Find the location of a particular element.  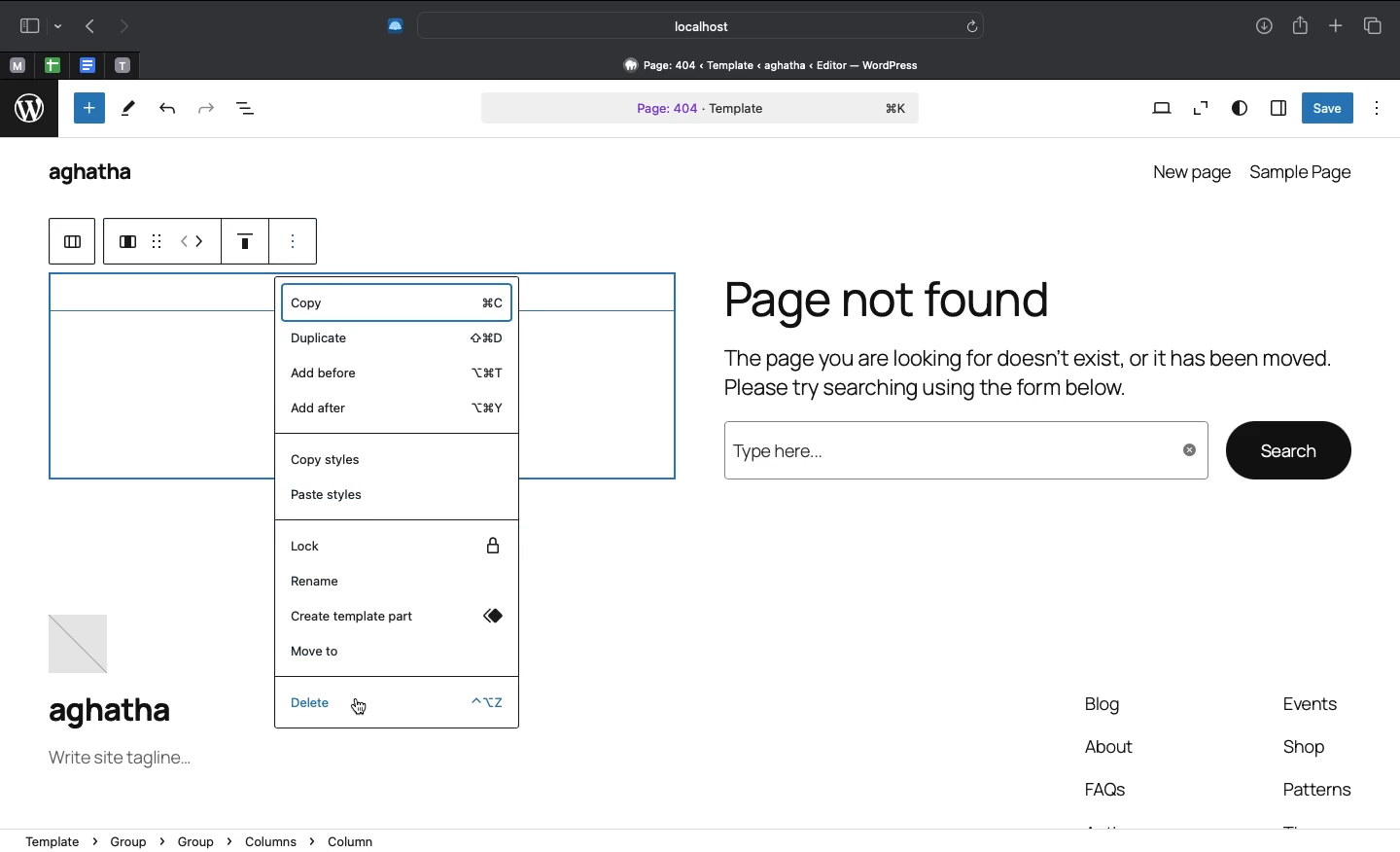

Options is located at coordinates (1378, 108).